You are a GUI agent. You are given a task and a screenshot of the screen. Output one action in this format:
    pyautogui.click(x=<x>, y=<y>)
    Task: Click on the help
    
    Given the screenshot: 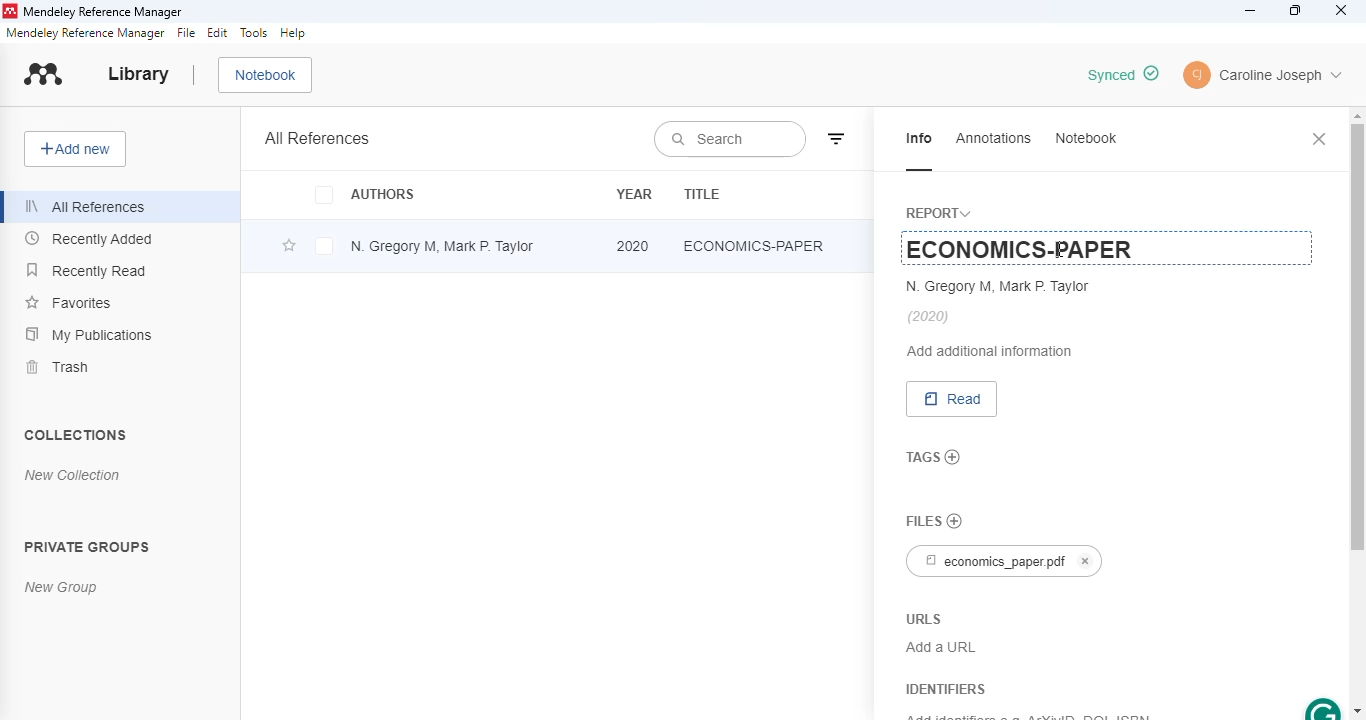 What is the action you would take?
    pyautogui.click(x=293, y=33)
    